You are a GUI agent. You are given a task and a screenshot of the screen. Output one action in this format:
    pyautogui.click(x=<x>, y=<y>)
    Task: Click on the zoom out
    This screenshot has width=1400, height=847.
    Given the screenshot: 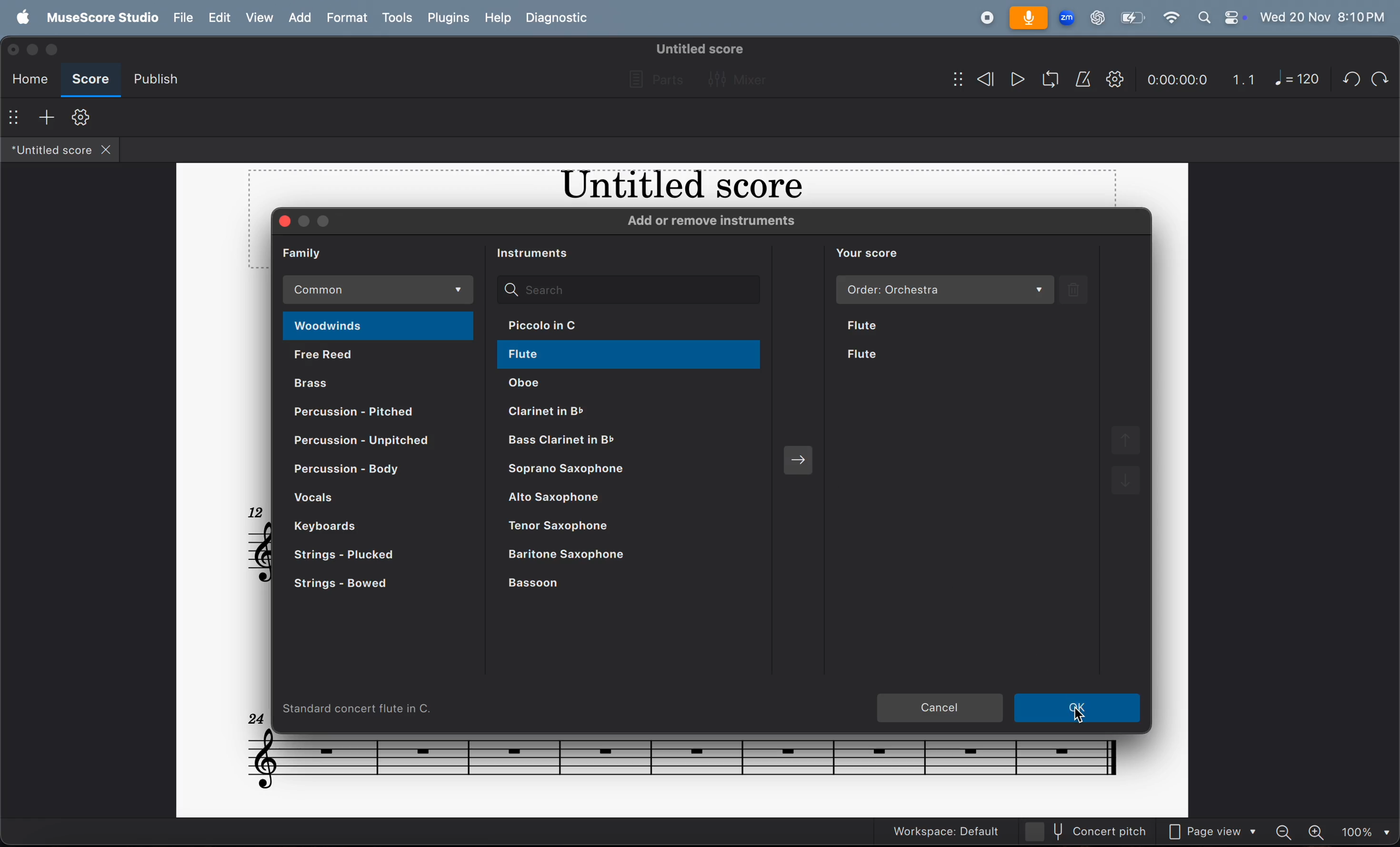 What is the action you would take?
    pyautogui.click(x=1282, y=832)
    